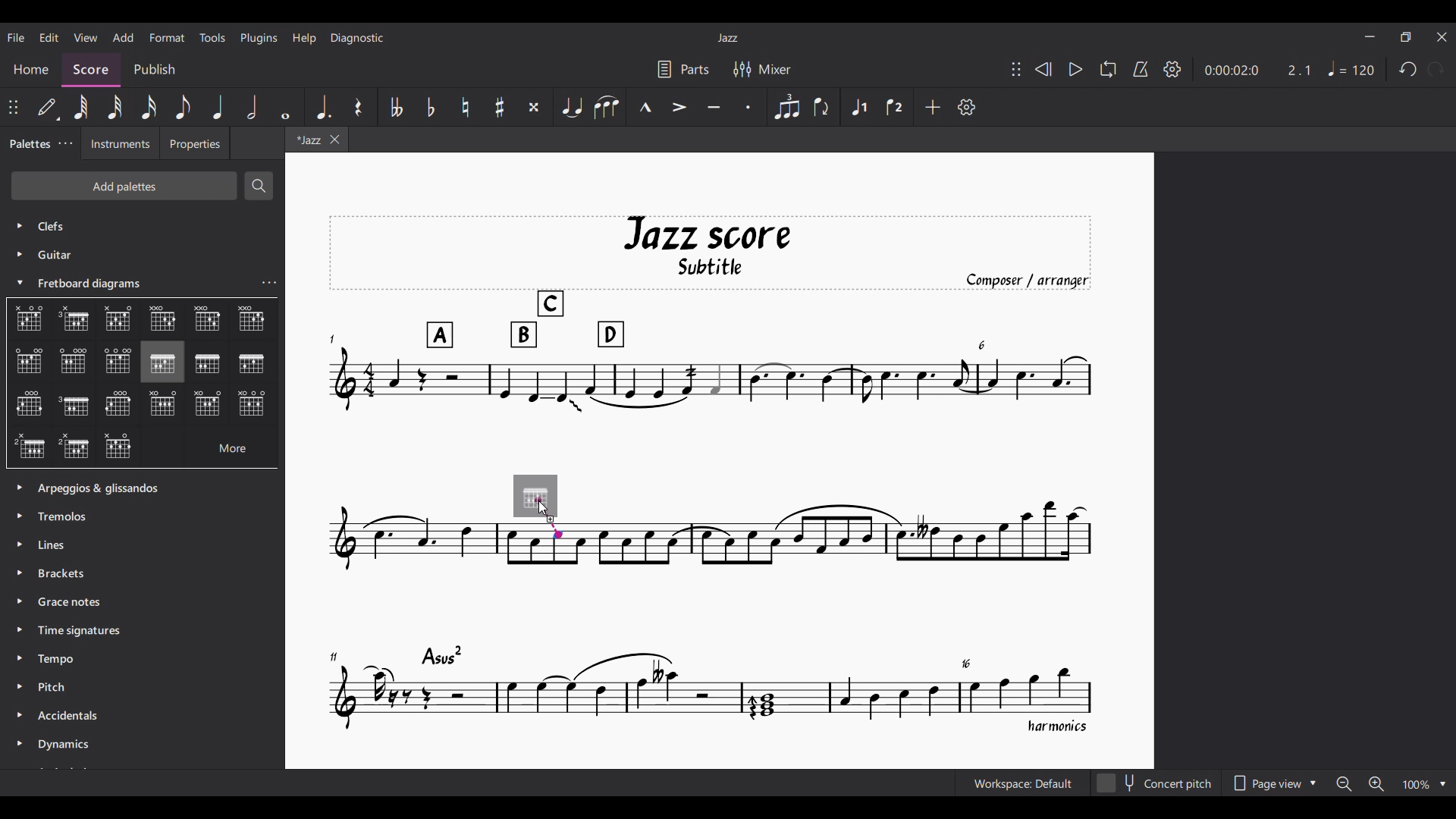  What do you see at coordinates (358, 107) in the screenshot?
I see `Rest` at bounding box center [358, 107].